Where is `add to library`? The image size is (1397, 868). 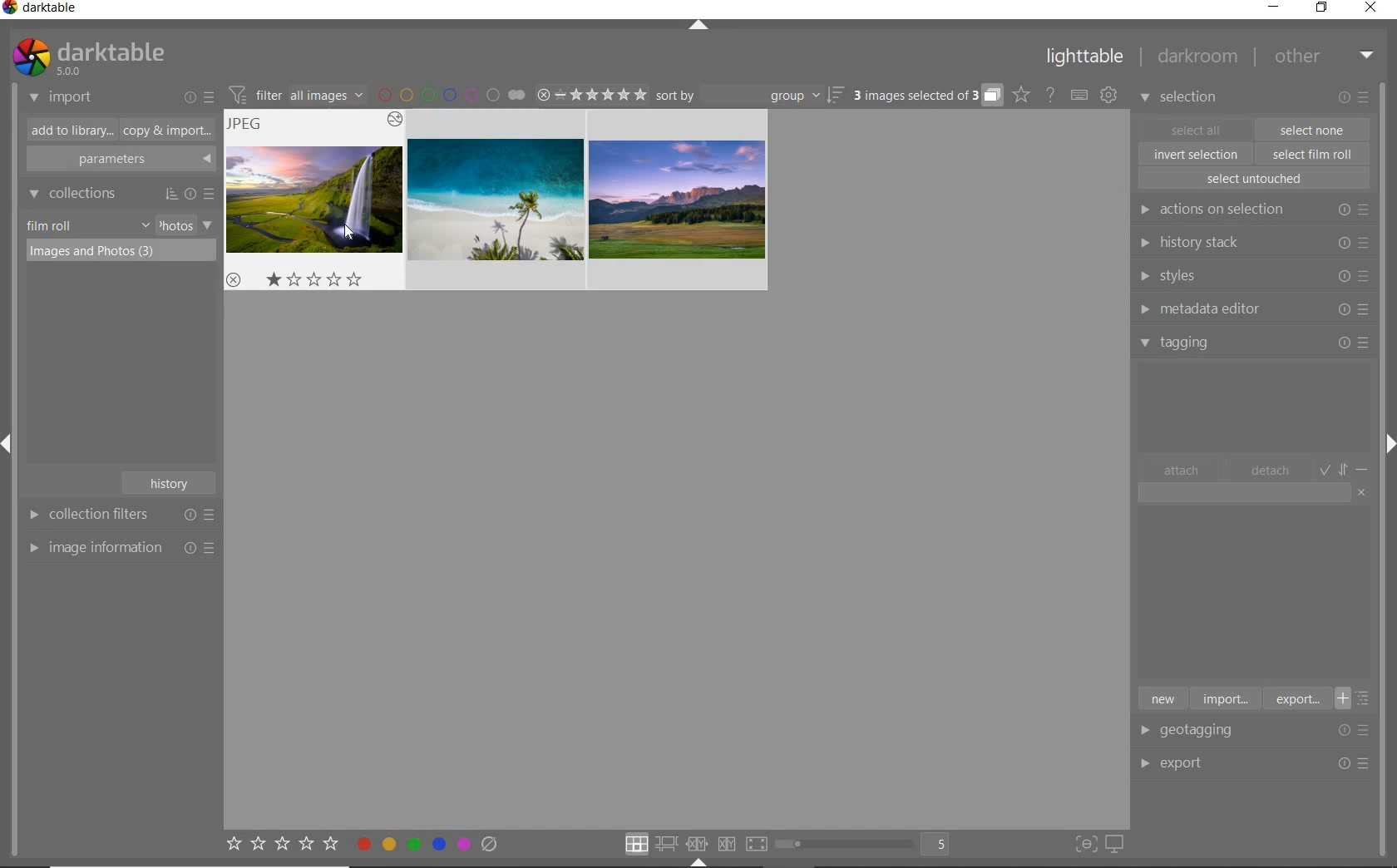 add to library is located at coordinates (67, 131).